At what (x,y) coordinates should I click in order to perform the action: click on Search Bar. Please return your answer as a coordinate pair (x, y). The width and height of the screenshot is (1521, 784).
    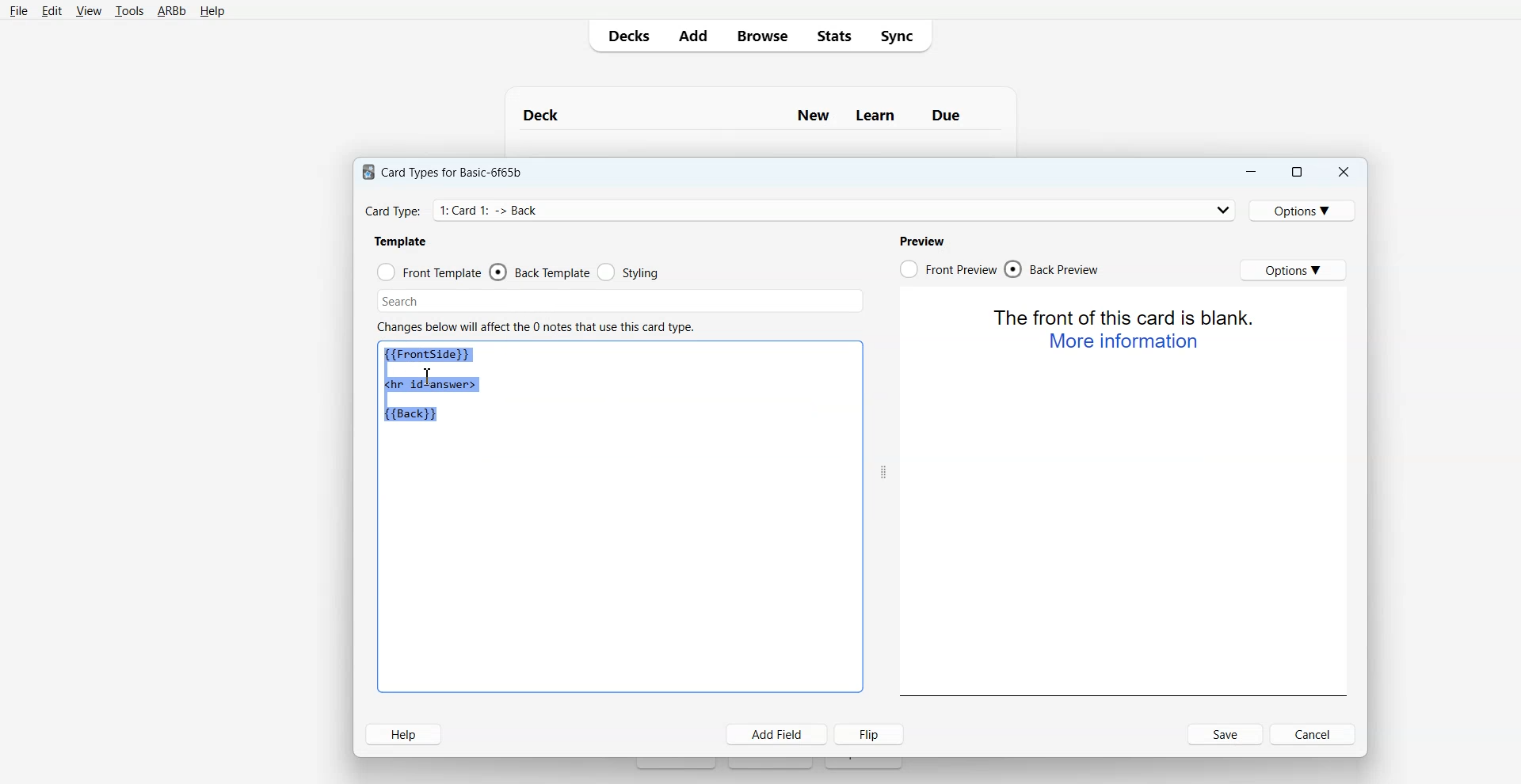
    Looking at the image, I should click on (617, 299).